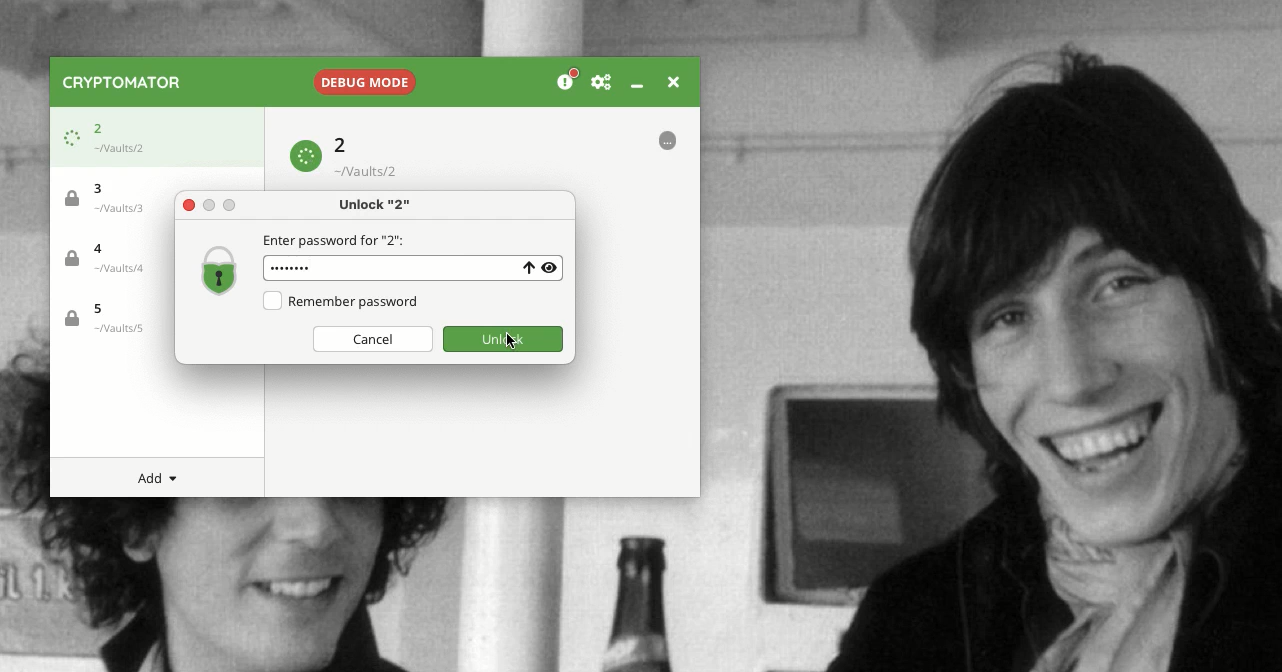 The image size is (1282, 672). I want to click on Unlock "2", so click(378, 203).